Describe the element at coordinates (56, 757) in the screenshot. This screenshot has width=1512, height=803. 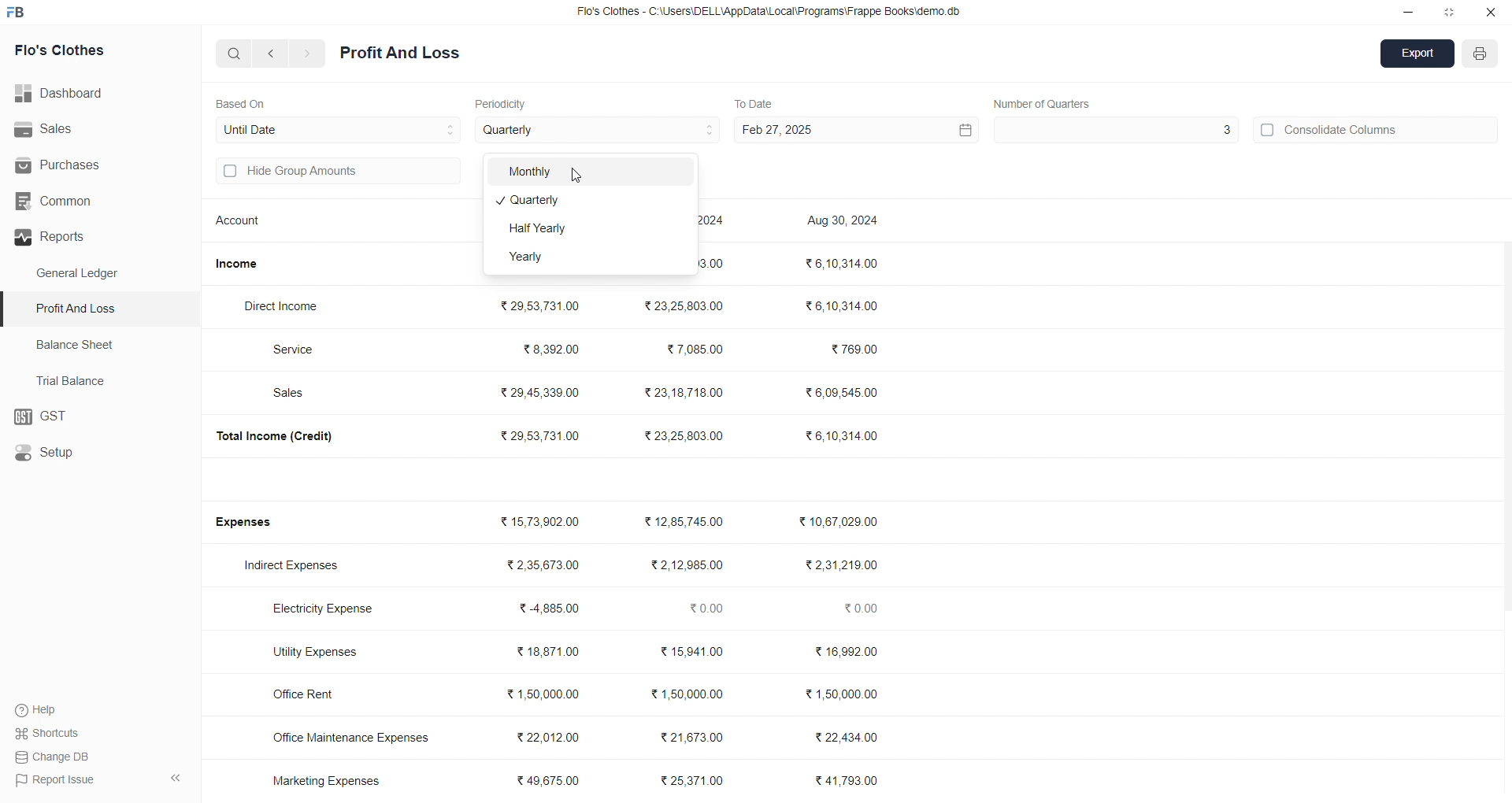
I see `Change DB` at that location.